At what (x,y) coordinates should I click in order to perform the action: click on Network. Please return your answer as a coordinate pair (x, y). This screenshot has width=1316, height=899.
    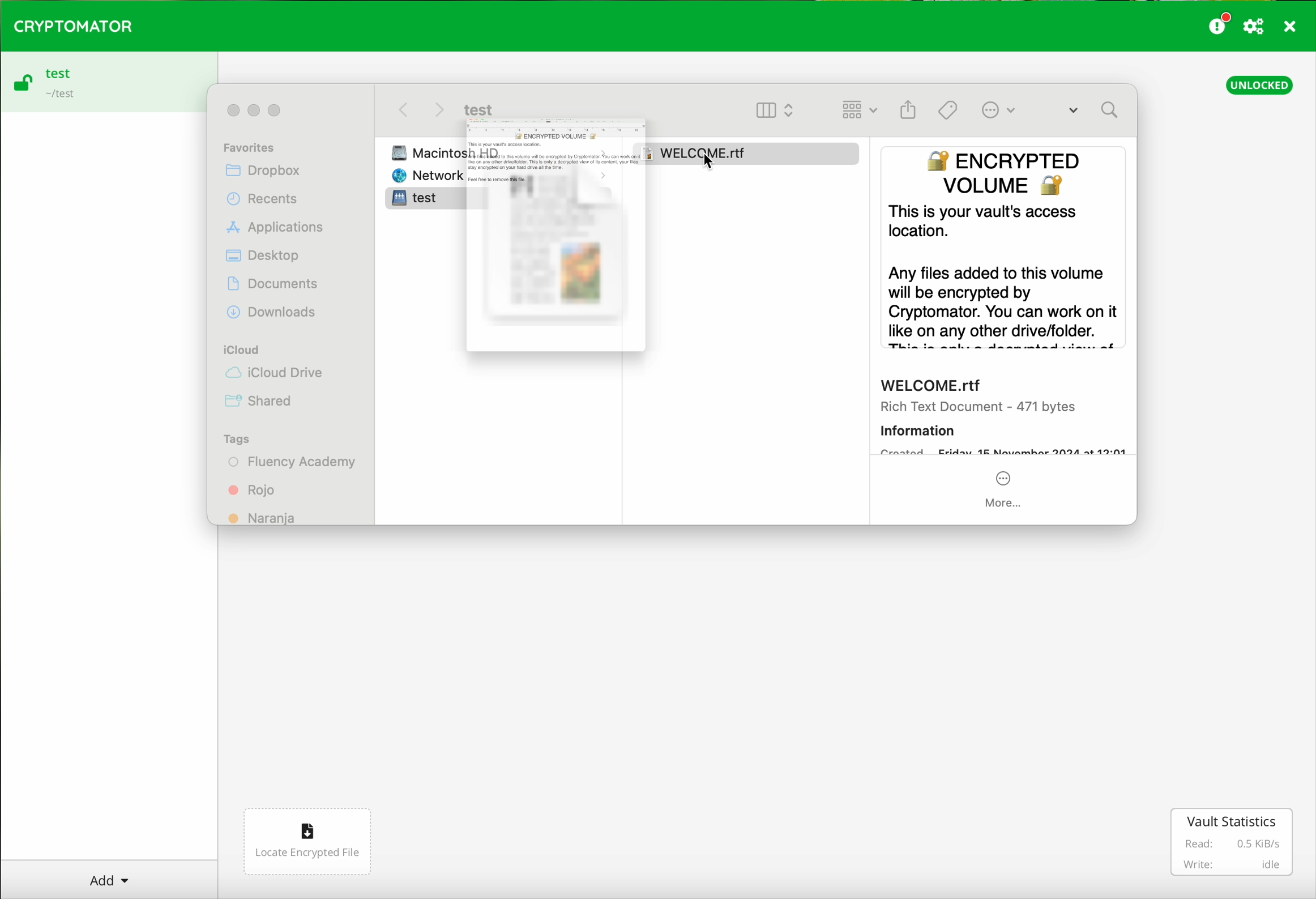
    Looking at the image, I should click on (506, 176).